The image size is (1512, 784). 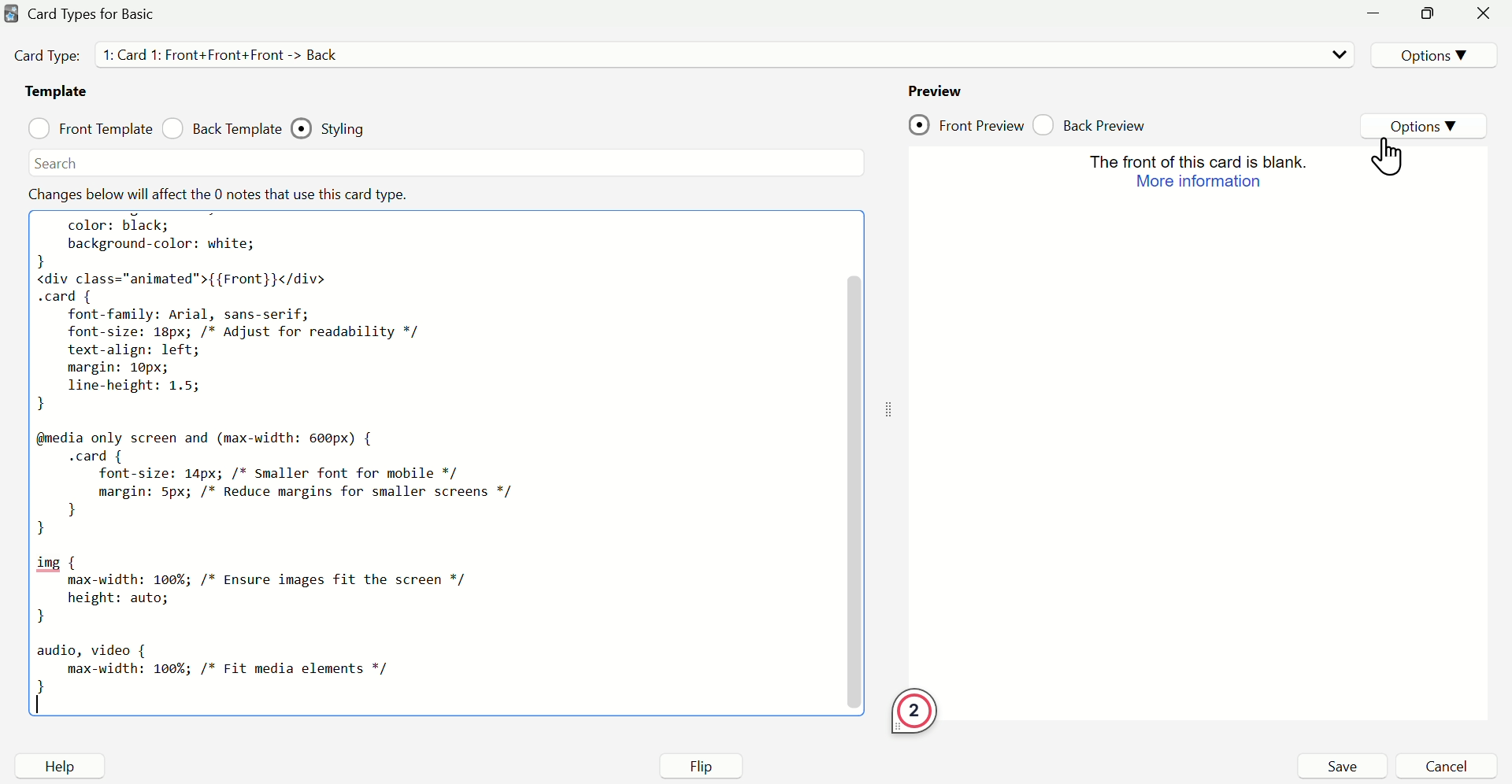 I want to click on Back Preview, so click(x=1097, y=122).